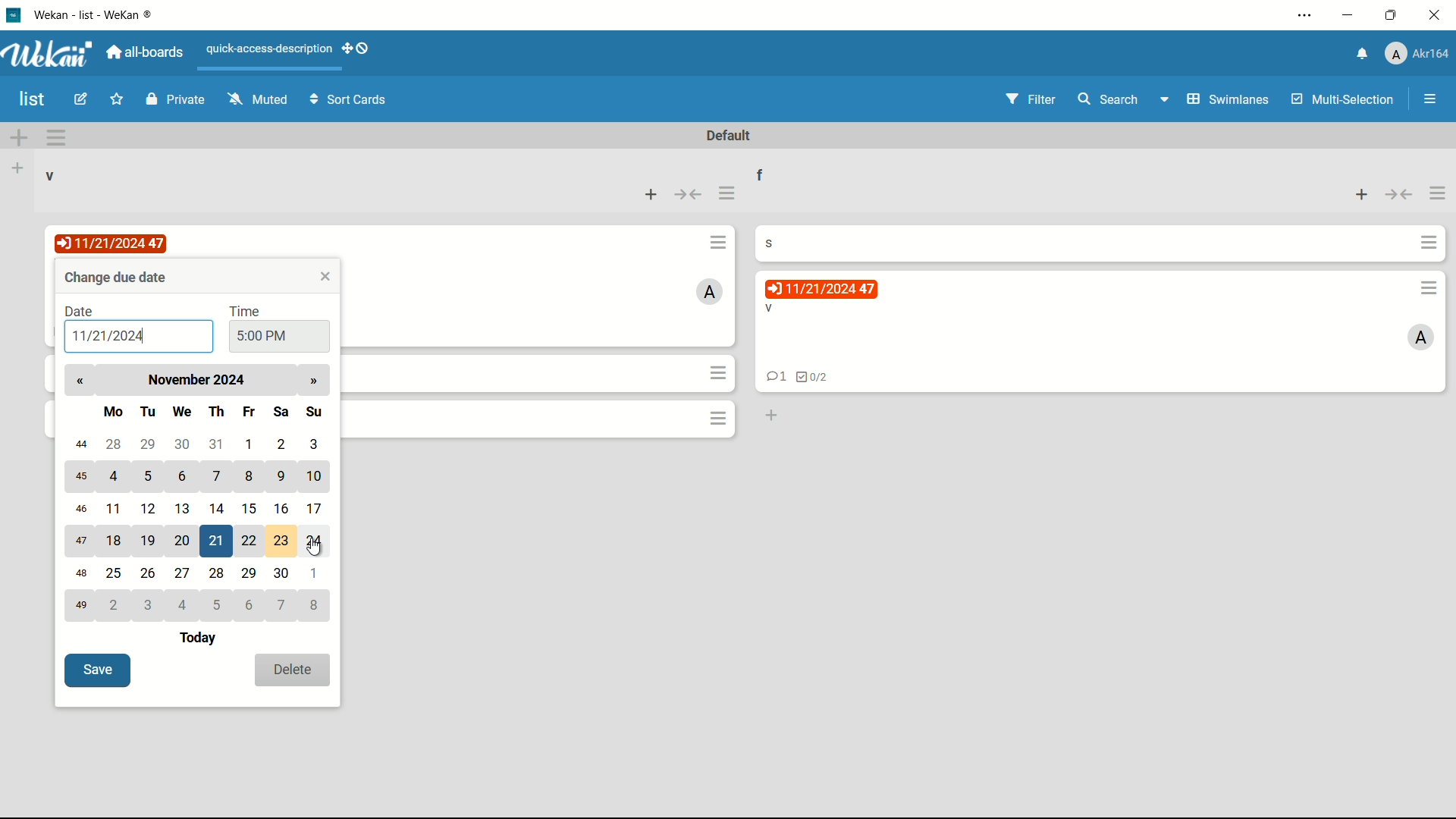 This screenshot has height=819, width=1456. Describe the element at coordinates (1399, 196) in the screenshot. I see `collapse` at that location.